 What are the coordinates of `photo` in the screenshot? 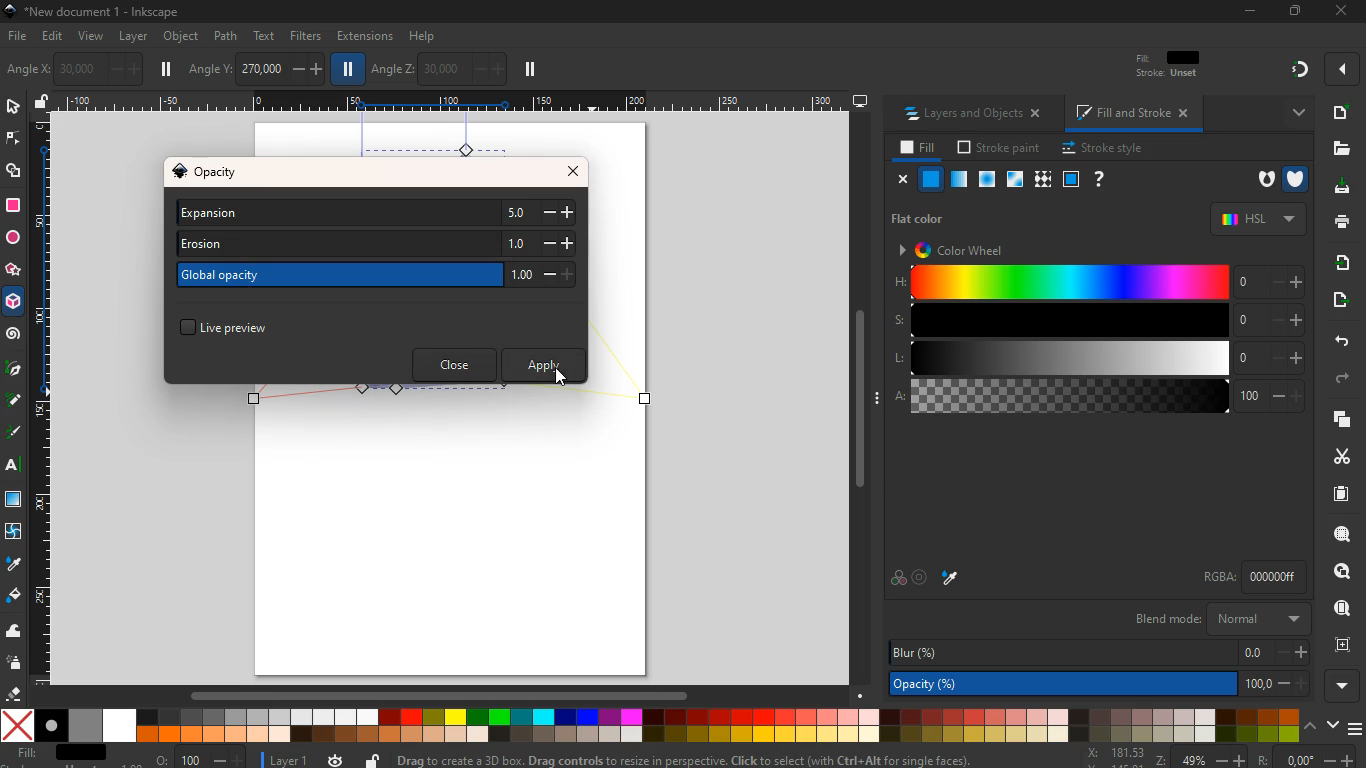 It's located at (21, 70).